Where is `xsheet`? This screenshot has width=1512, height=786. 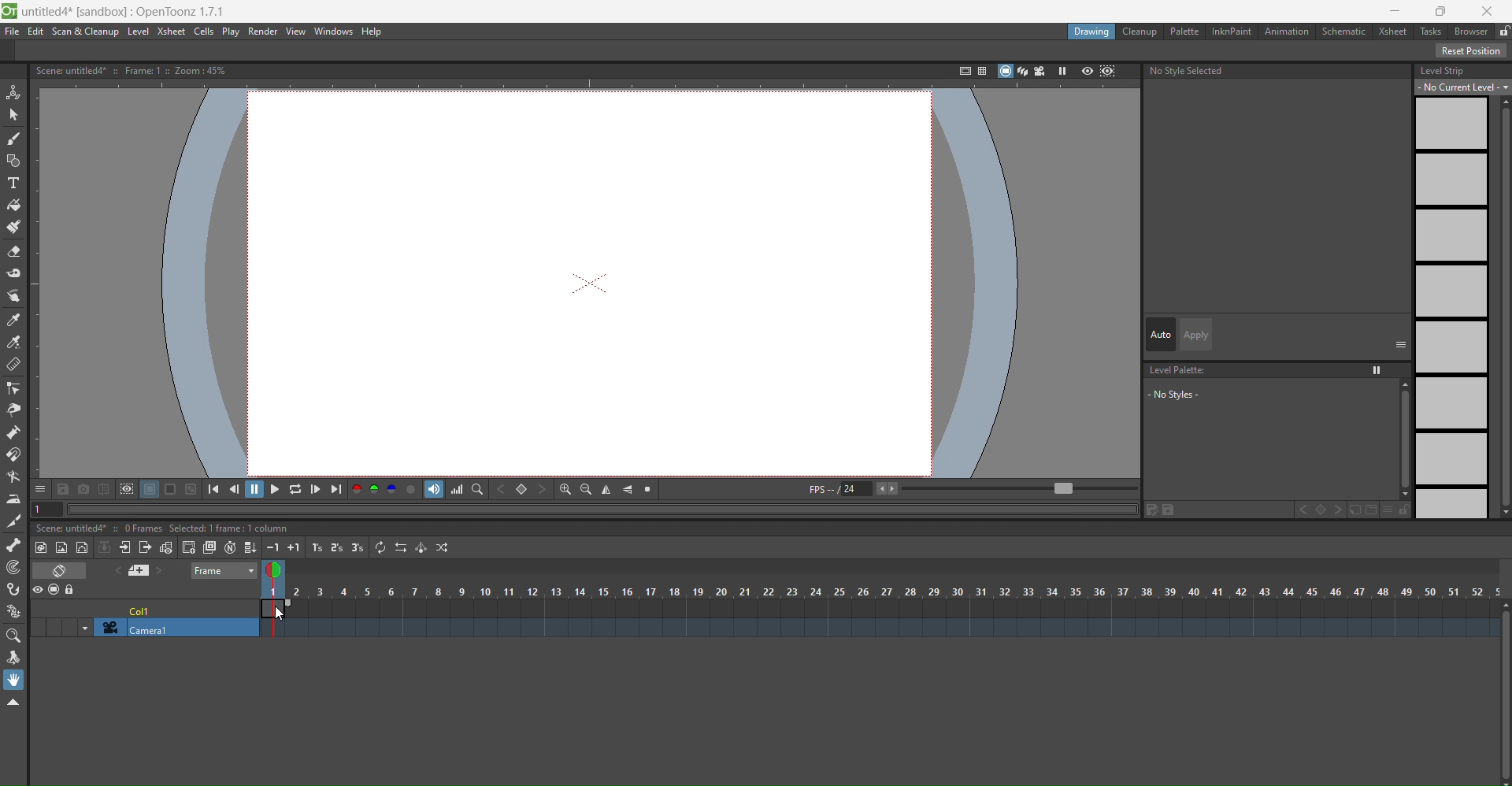 xsheet is located at coordinates (1390, 30).